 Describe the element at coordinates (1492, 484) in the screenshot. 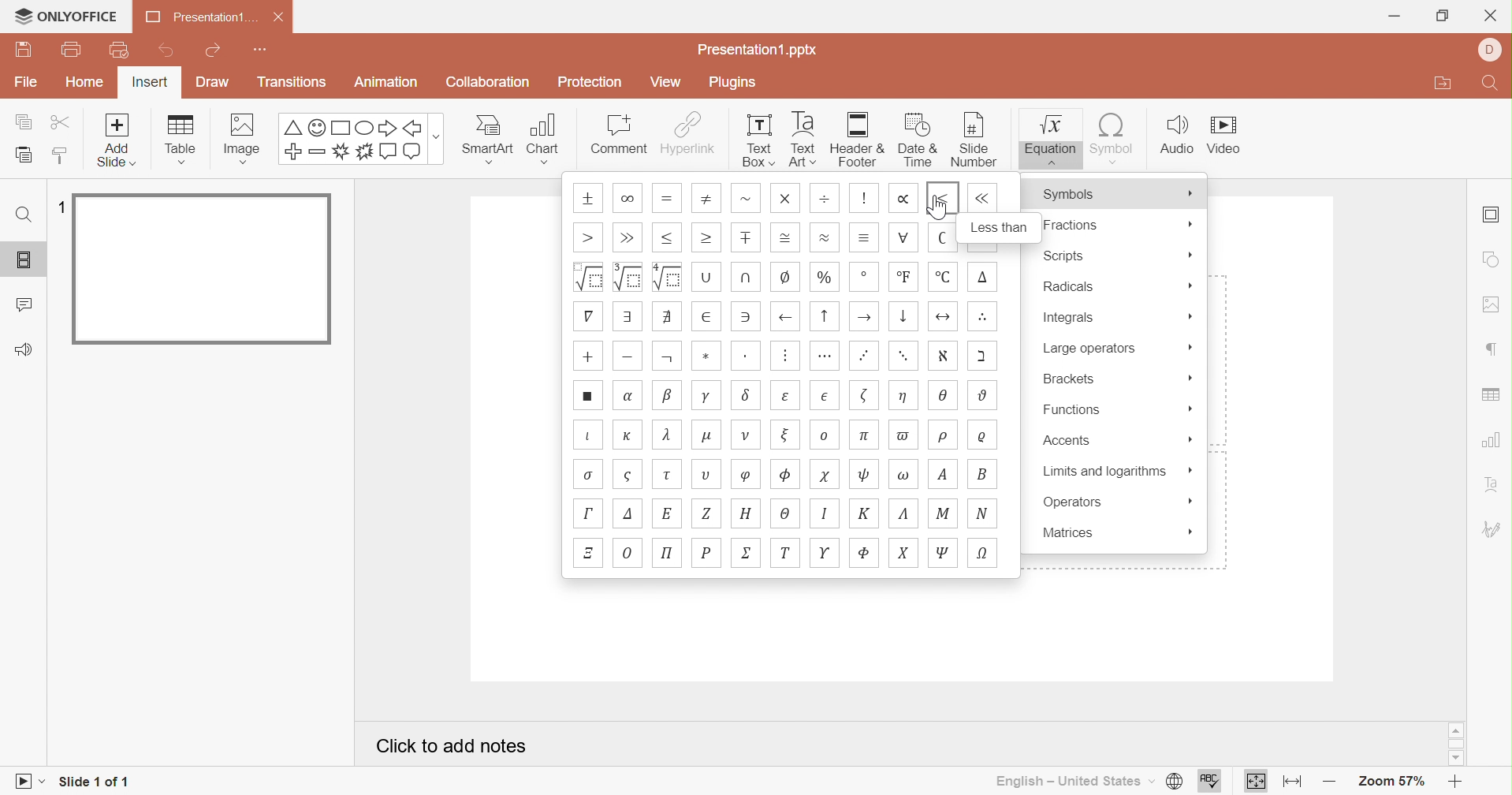

I see `Text Art settings` at that location.